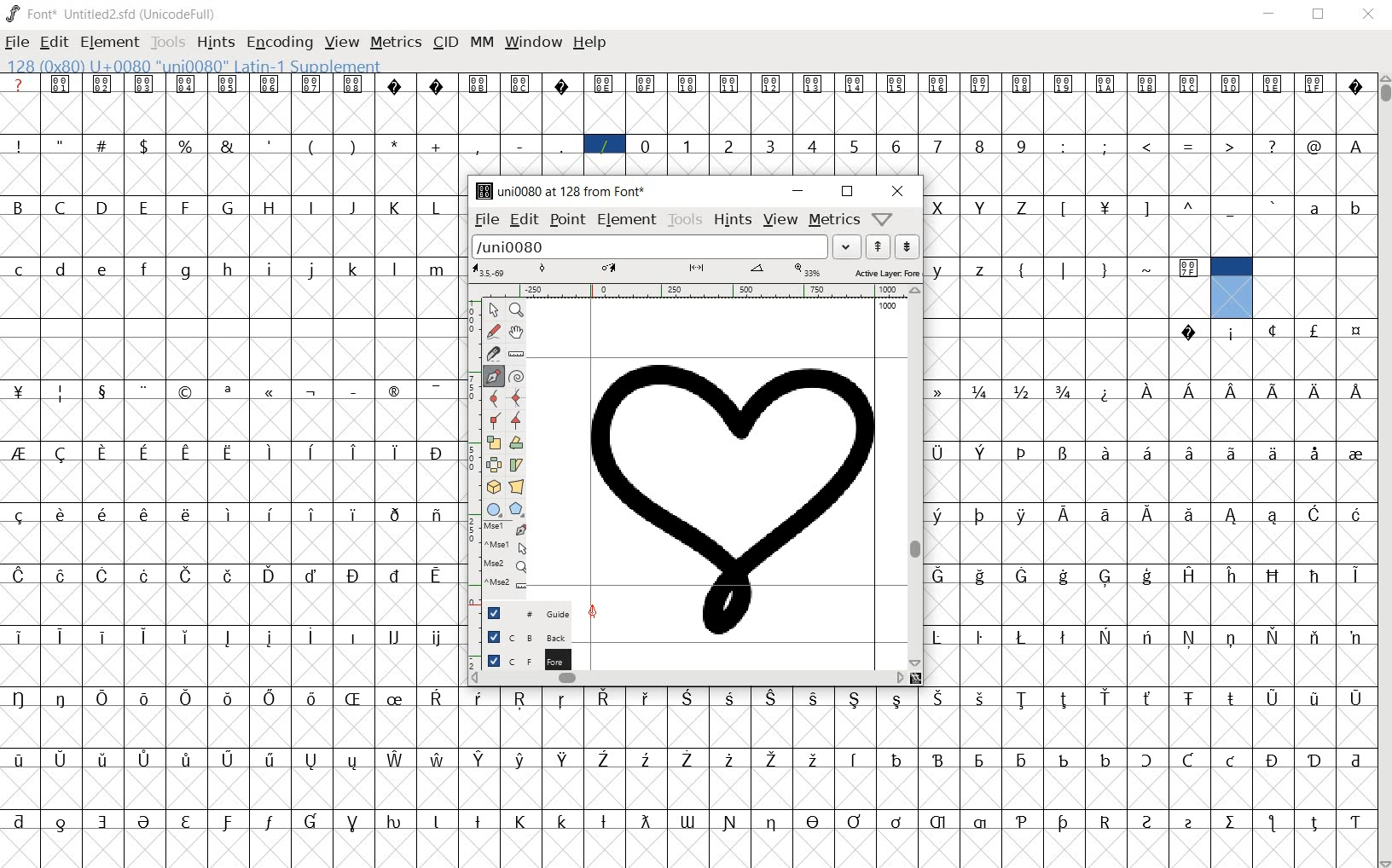 The image size is (1392, 868). What do you see at coordinates (1064, 823) in the screenshot?
I see `glyph` at bounding box center [1064, 823].